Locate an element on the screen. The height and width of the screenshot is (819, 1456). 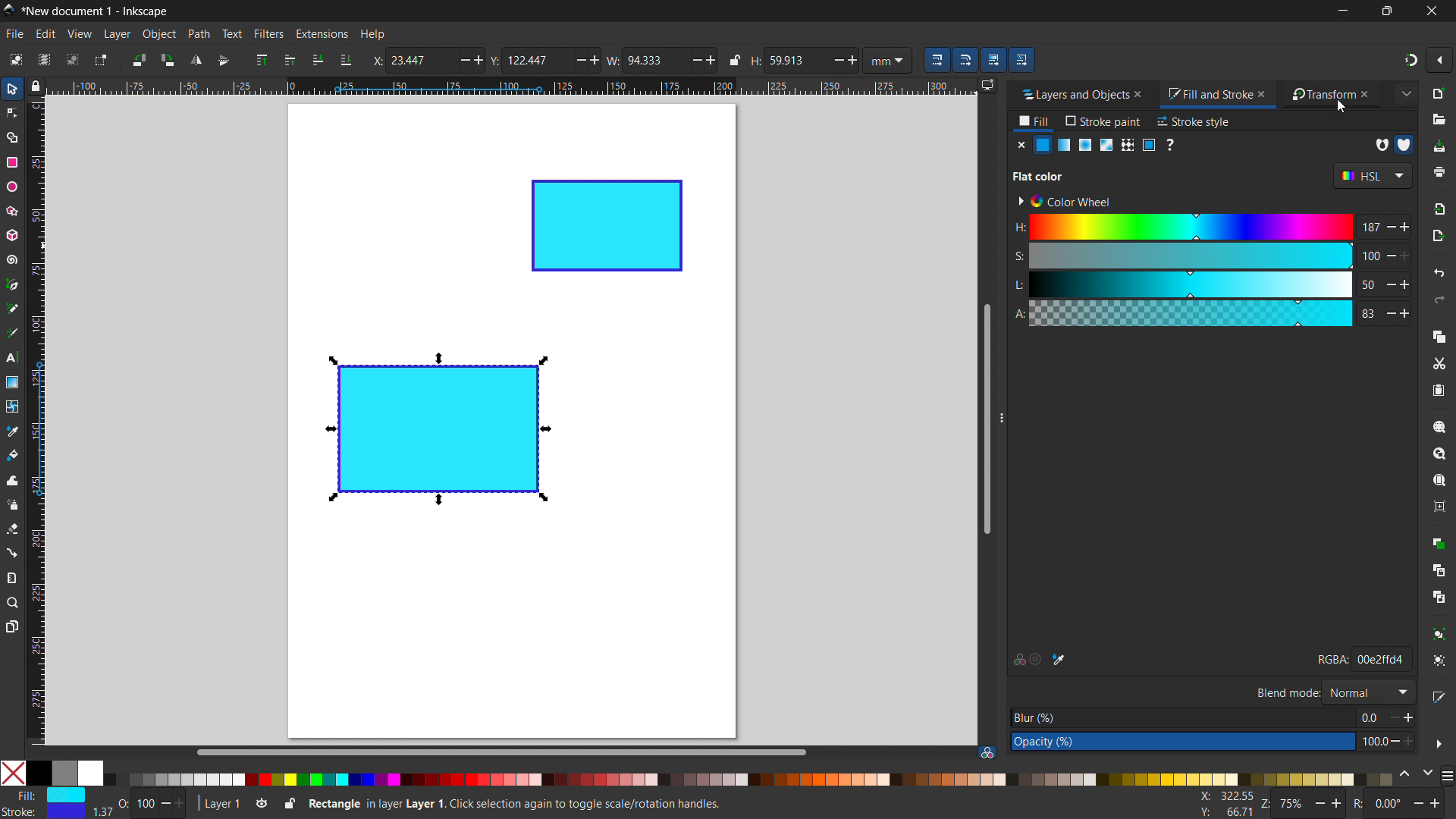
paint bucket tool is located at coordinates (14, 454).